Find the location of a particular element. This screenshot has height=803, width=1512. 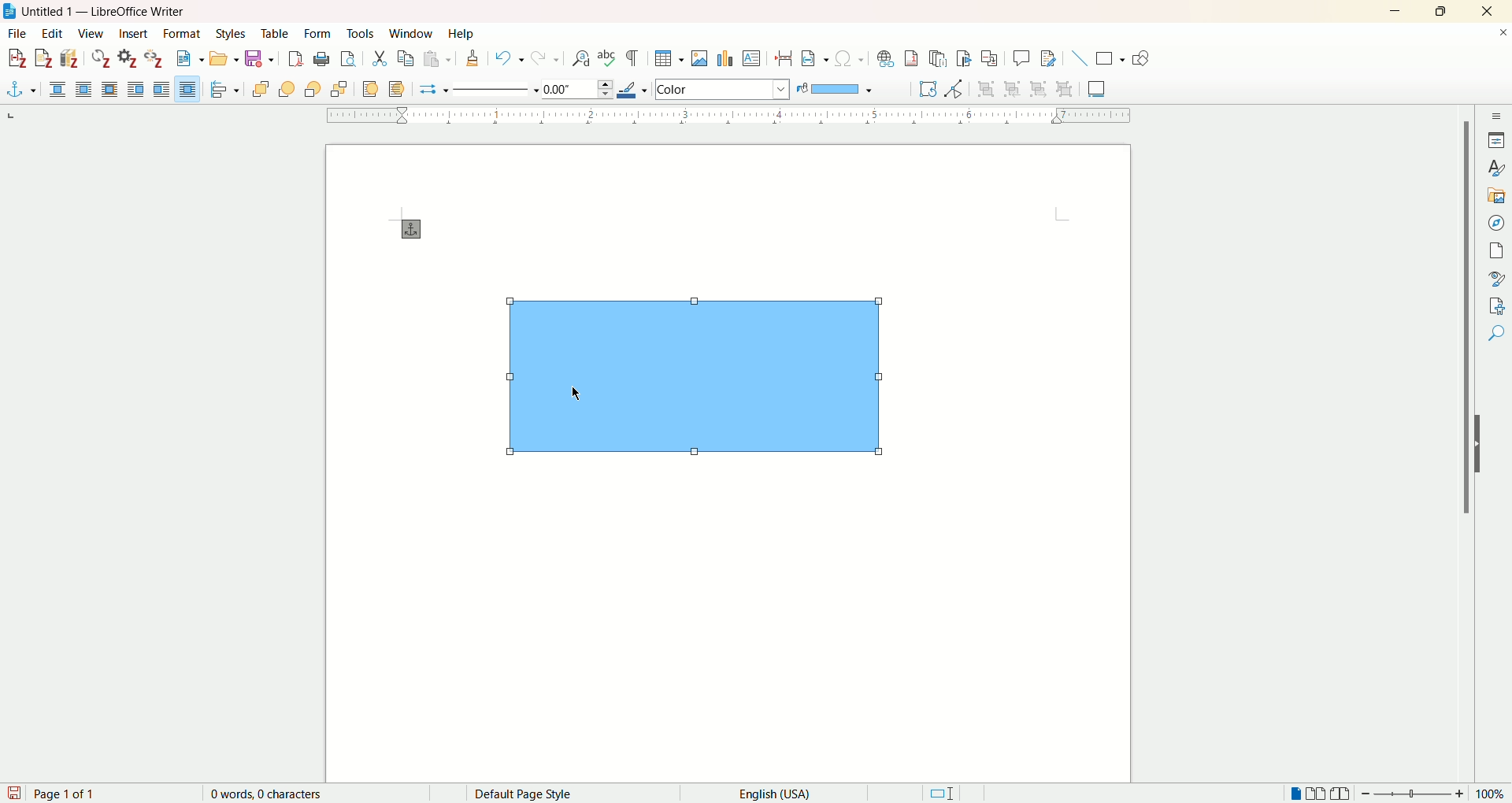

insert pagebreak is located at coordinates (784, 57).